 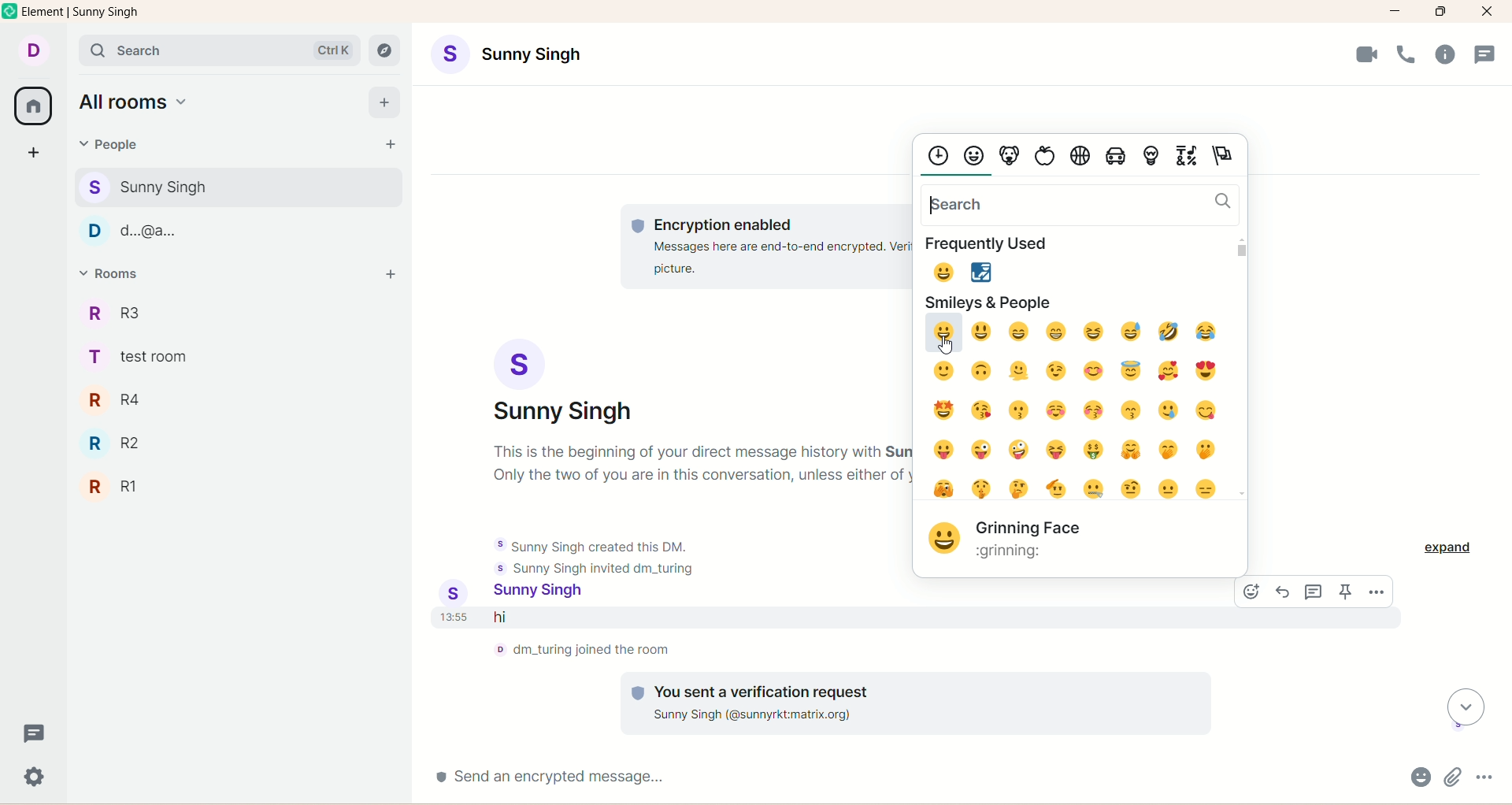 What do you see at coordinates (1484, 777) in the screenshot?
I see `options` at bounding box center [1484, 777].